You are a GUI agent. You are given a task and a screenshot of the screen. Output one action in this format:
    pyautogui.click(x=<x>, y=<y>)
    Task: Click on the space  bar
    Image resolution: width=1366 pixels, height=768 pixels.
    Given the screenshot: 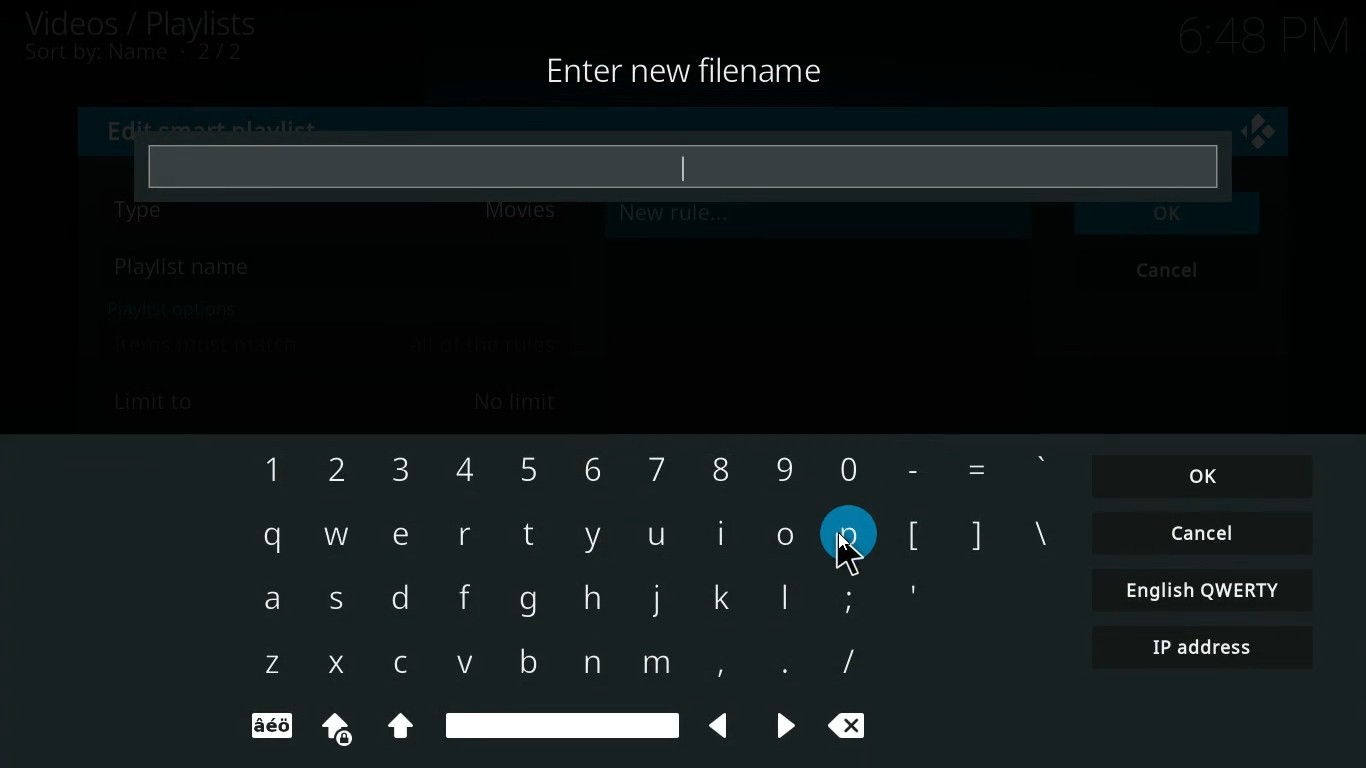 What is the action you would take?
    pyautogui.click(x=562, y=723)
    